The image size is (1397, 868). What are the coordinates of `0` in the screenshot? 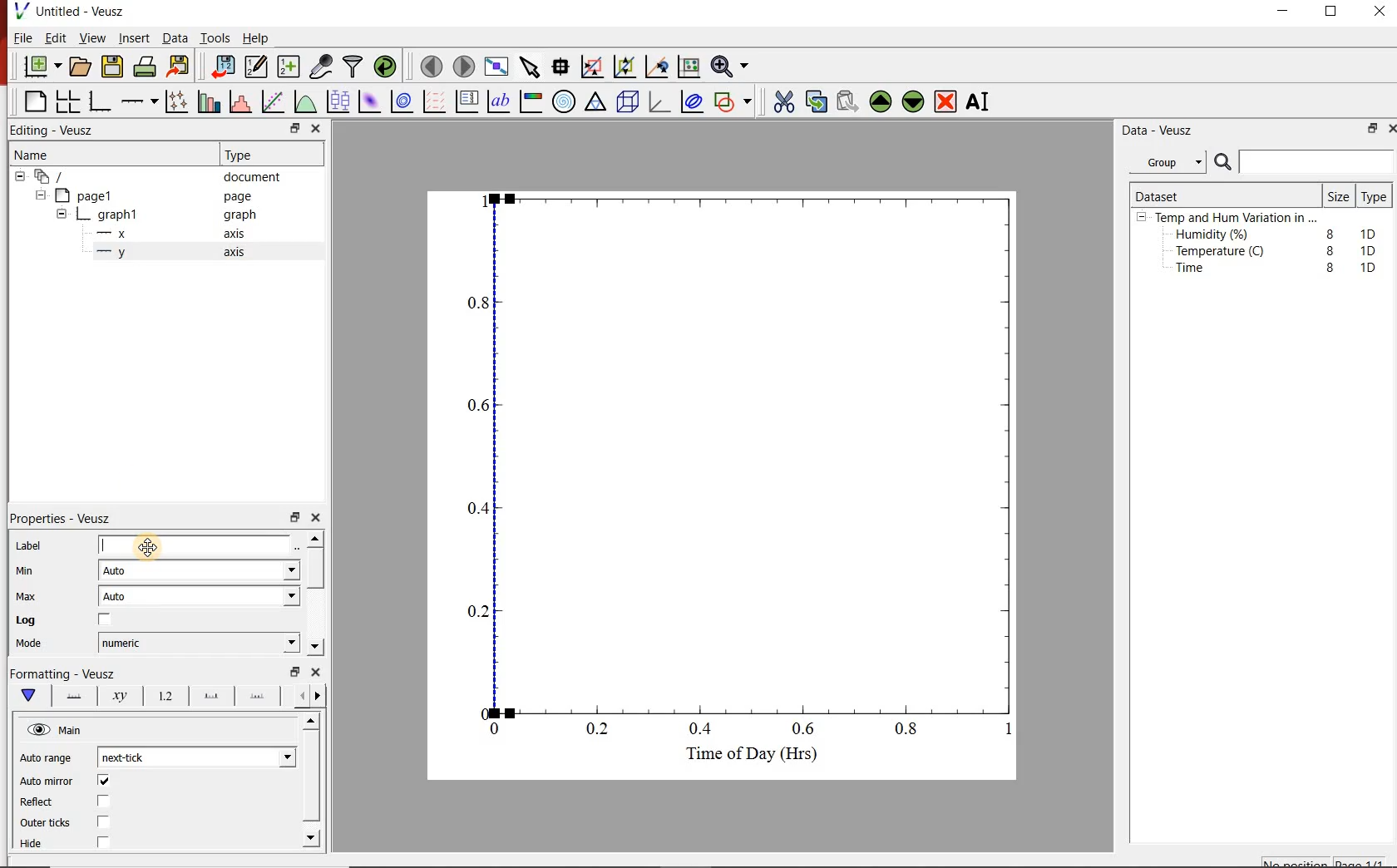 It's located at (479, 711).